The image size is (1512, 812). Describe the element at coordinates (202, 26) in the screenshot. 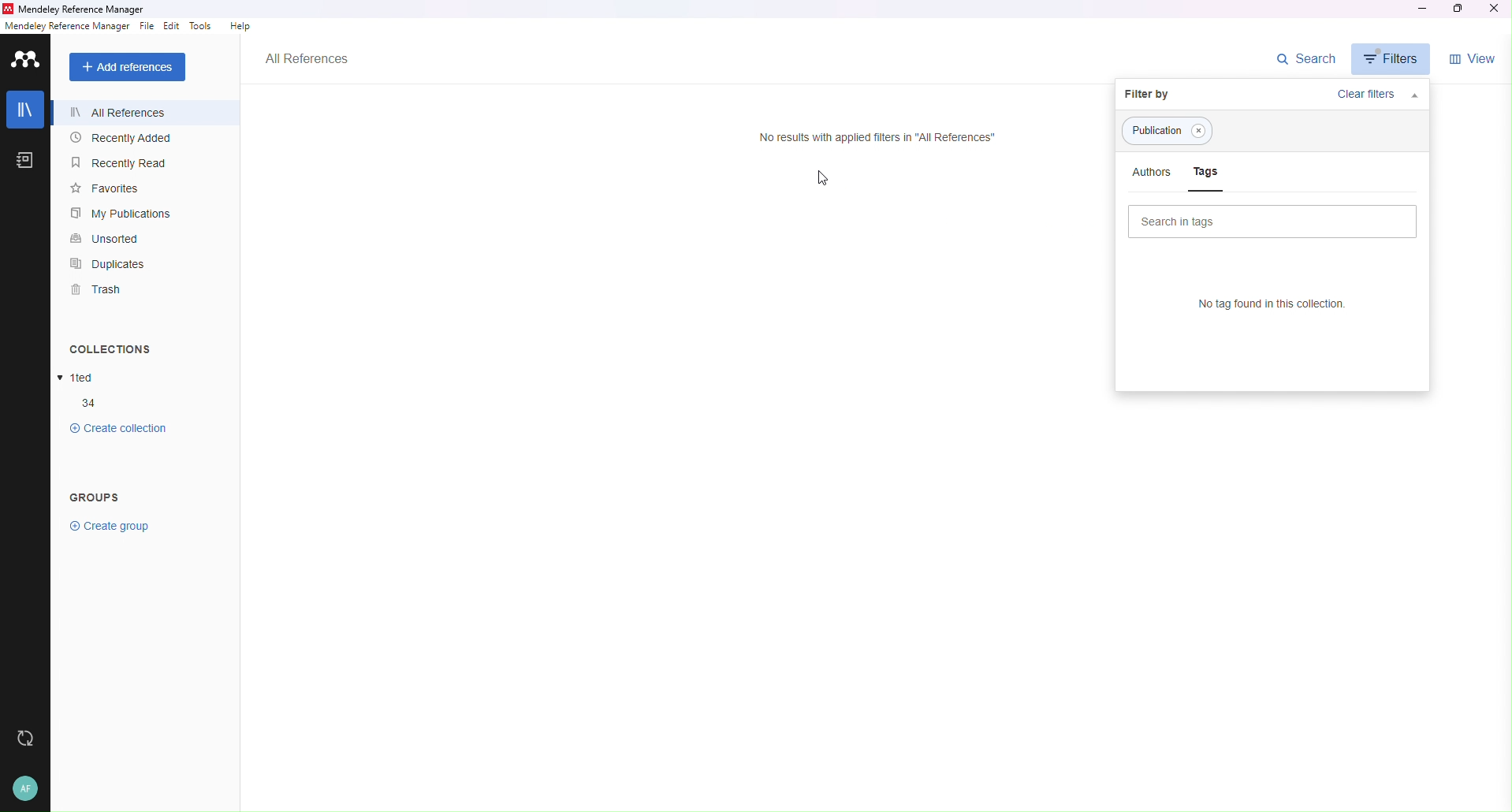

I see `Tools` at that location.